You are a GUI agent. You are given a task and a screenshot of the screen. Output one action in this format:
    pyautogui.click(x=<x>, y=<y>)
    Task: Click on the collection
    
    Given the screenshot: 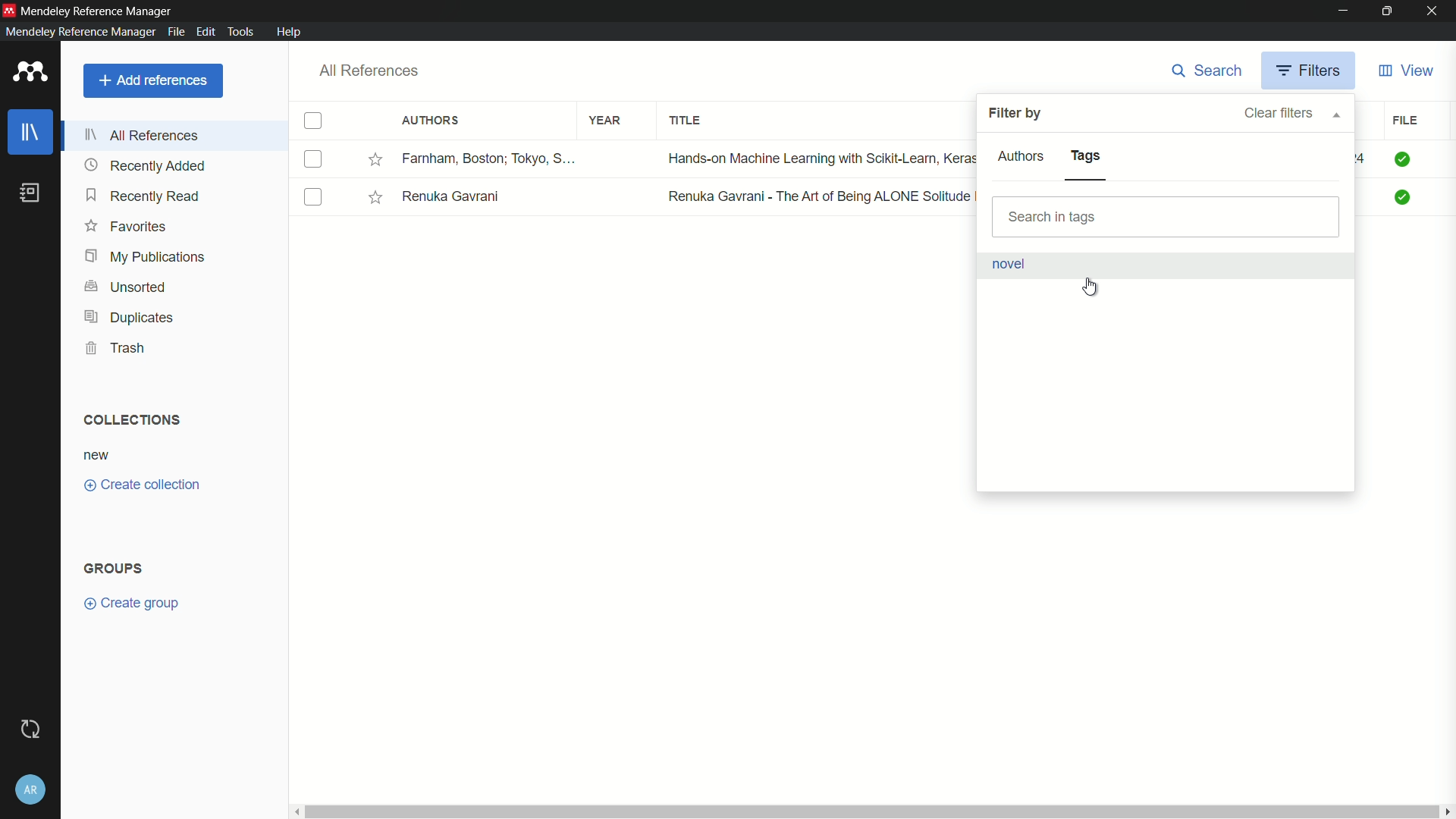 What is the action you would take?
    pyautogui.click(x=130, y=420)
    